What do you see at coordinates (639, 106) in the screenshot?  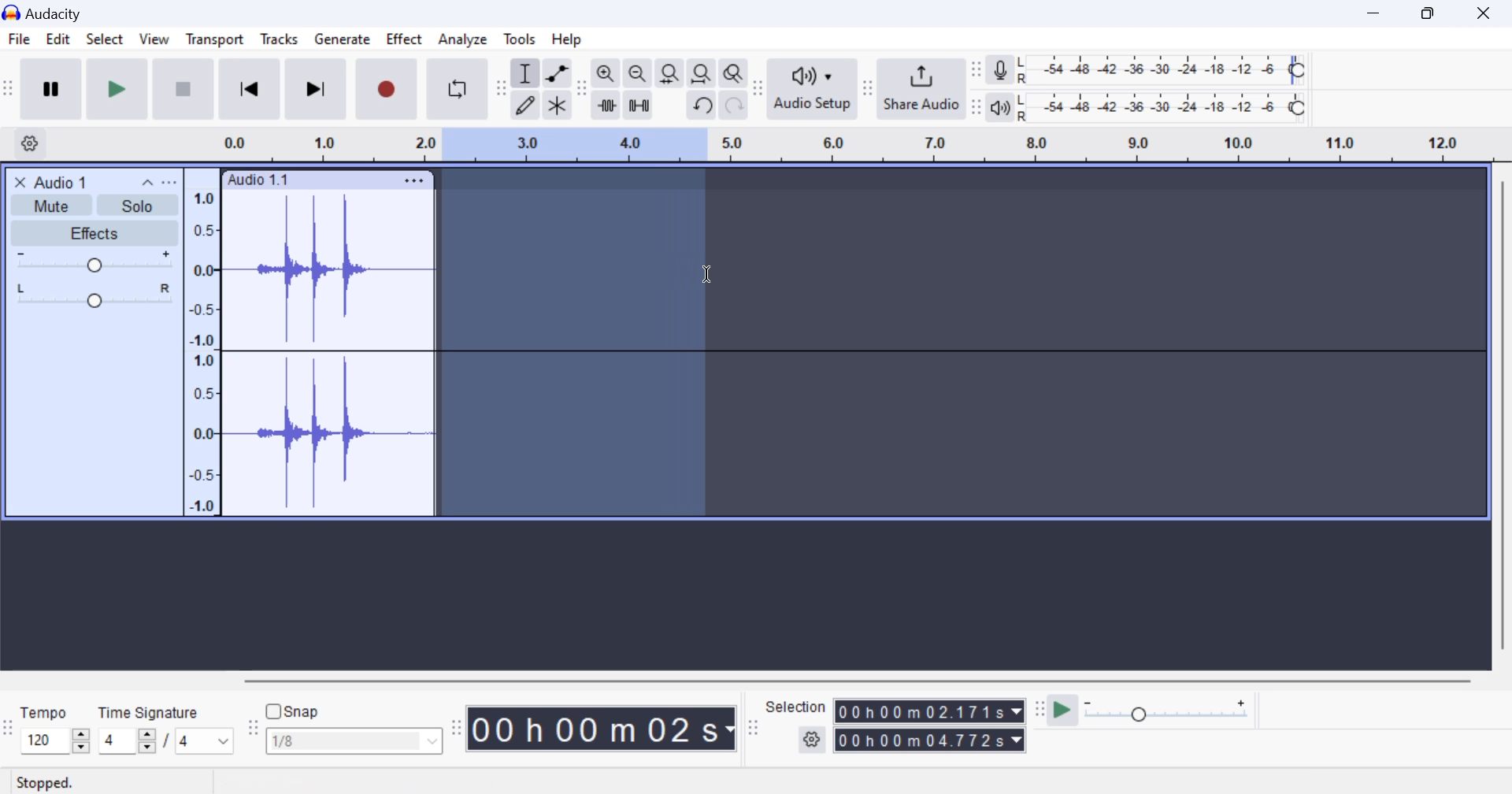 I see `silence audio selection` at bounding box center [639, 106].